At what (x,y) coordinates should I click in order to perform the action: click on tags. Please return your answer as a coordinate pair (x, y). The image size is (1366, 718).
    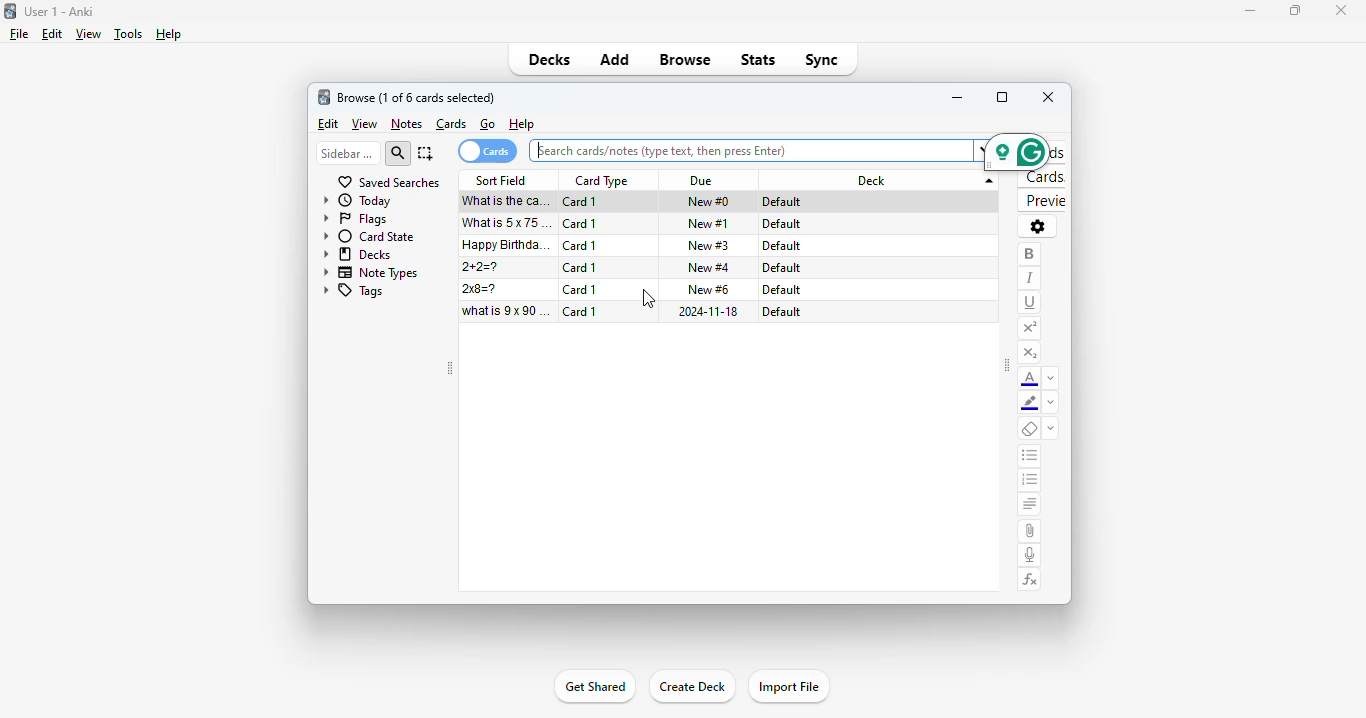
    Looking at the image, I should click on (353, 292).